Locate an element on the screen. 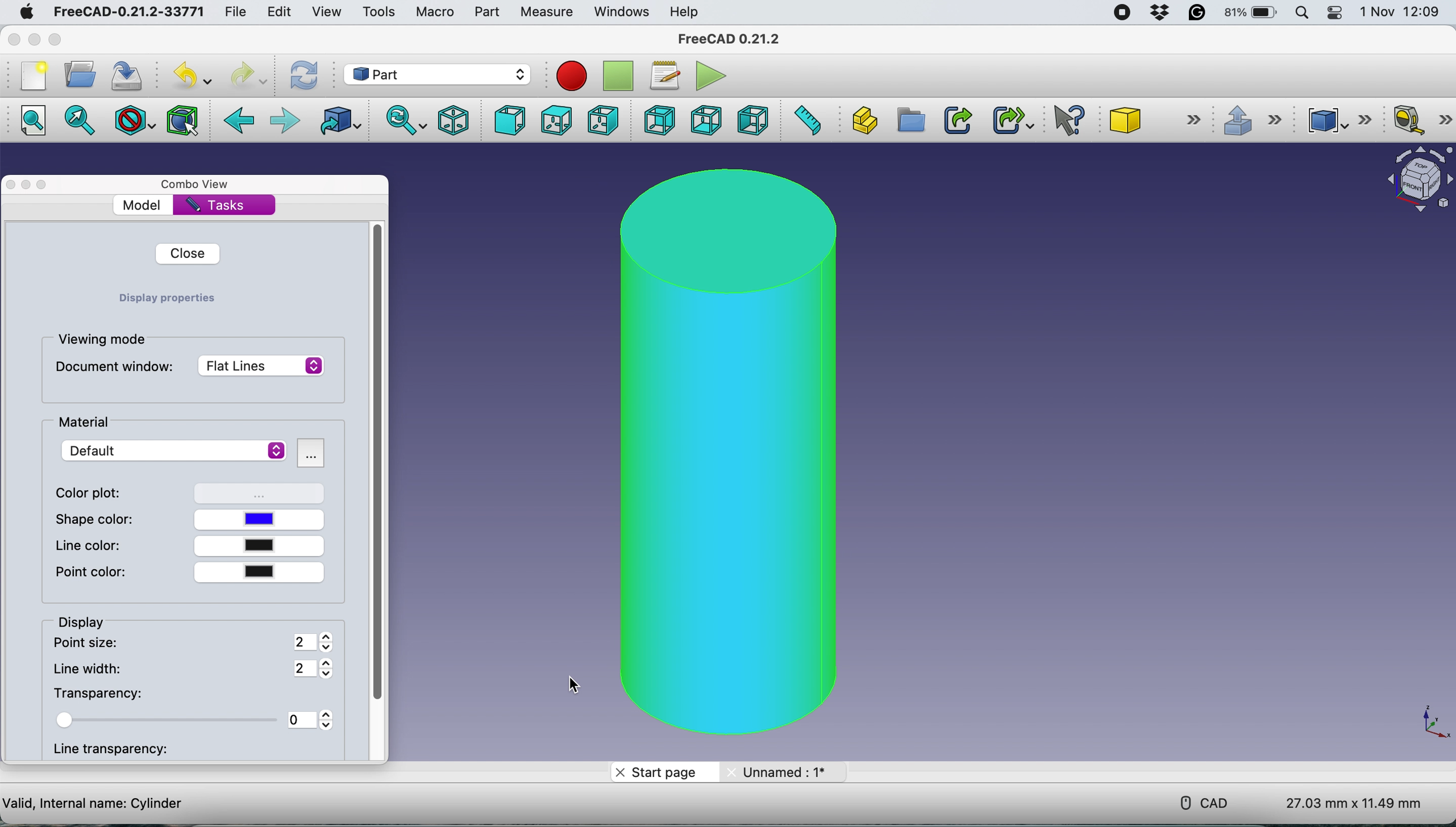  bottom is located at coordinates (704, 120).